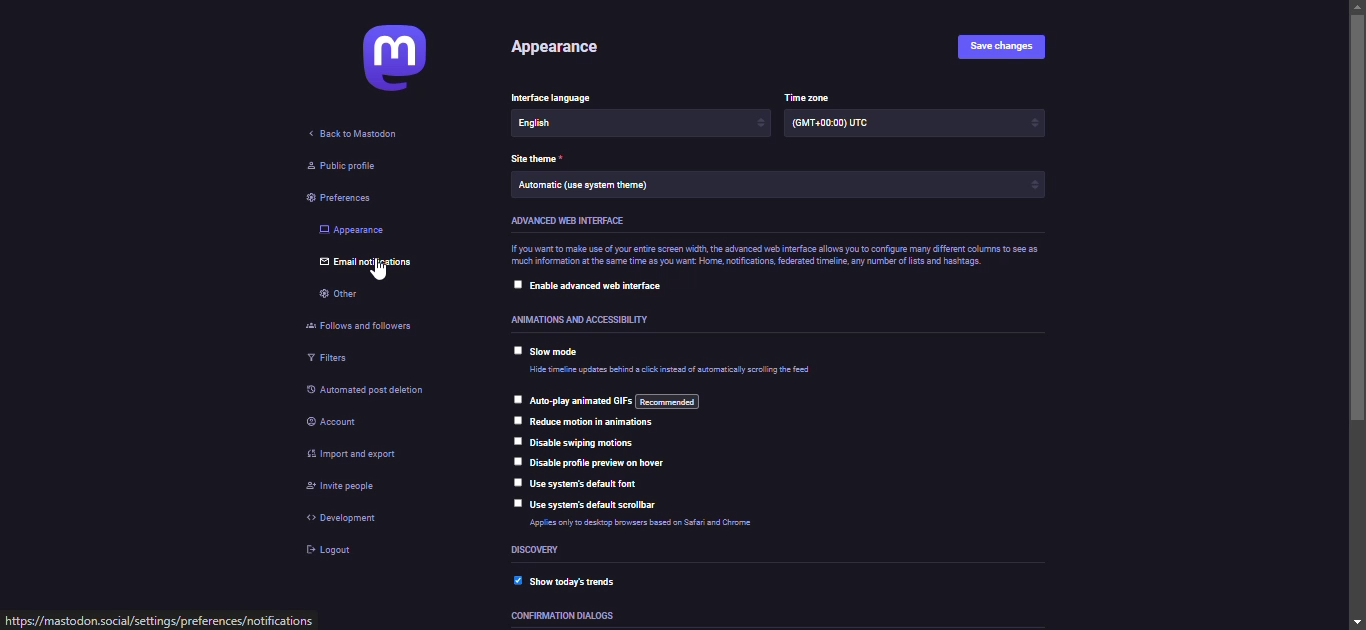  I want to click on preferences, so click(337, 199).